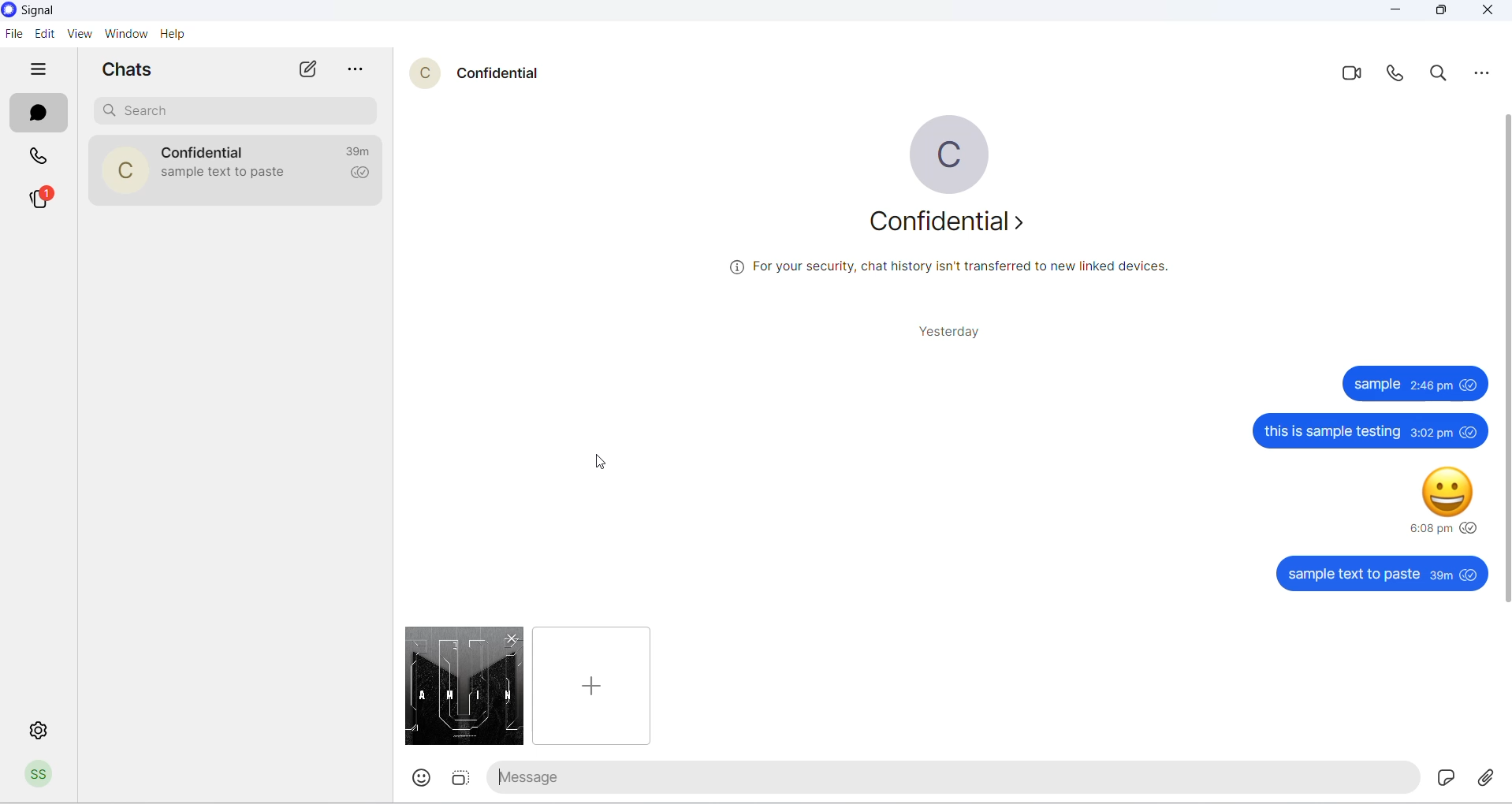  Describe the element at coordinates (1443, 77) in the screenshot. I see `search in chats` at that location.